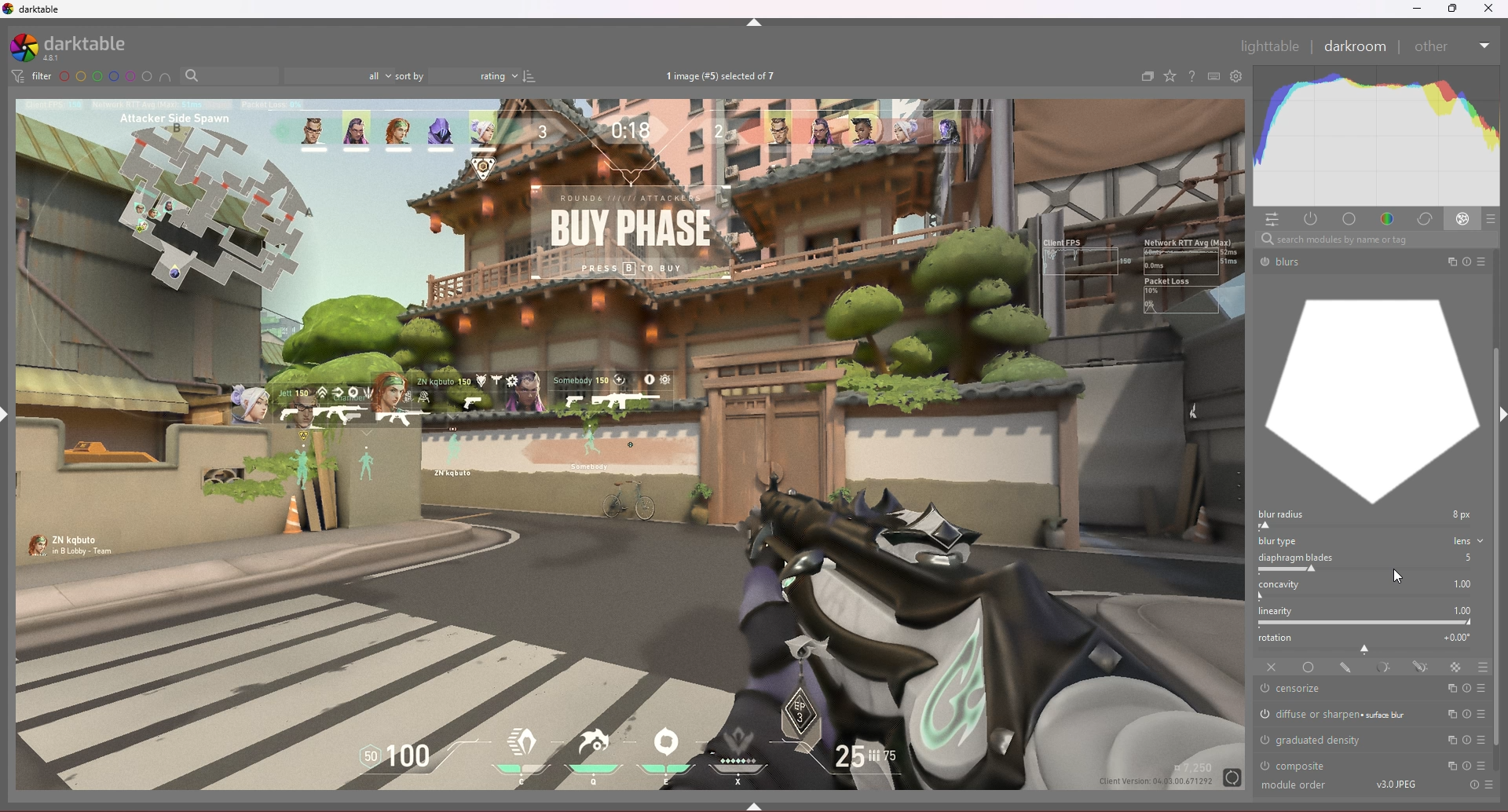 This screenshot has width=1508, height=812. I want to click on include color label, so click(164, 76).